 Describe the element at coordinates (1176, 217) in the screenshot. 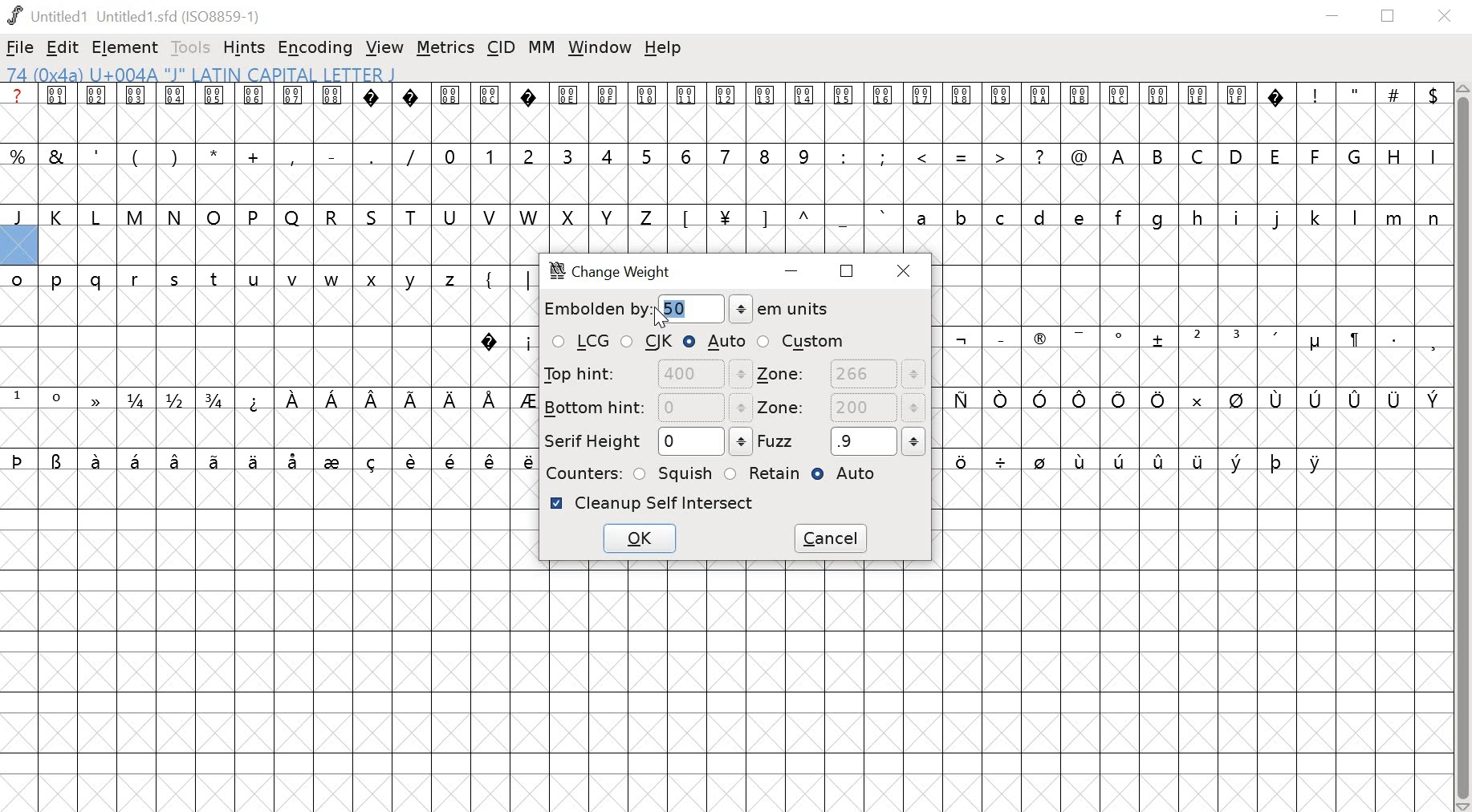

I see `lower case letter` at that location.